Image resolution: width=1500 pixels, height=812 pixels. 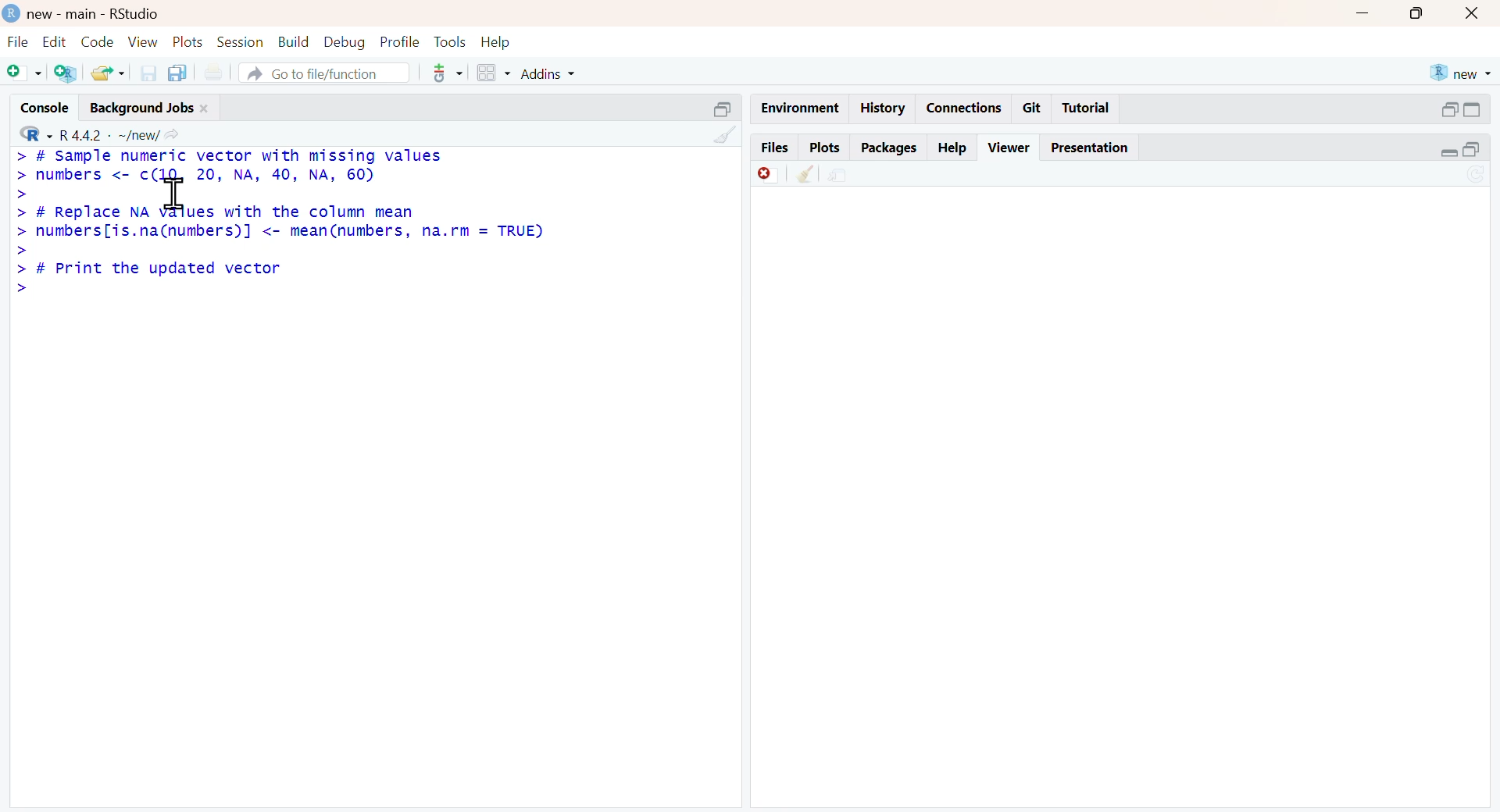 I want to click on open in separate window, so click(x=1451, y=109).